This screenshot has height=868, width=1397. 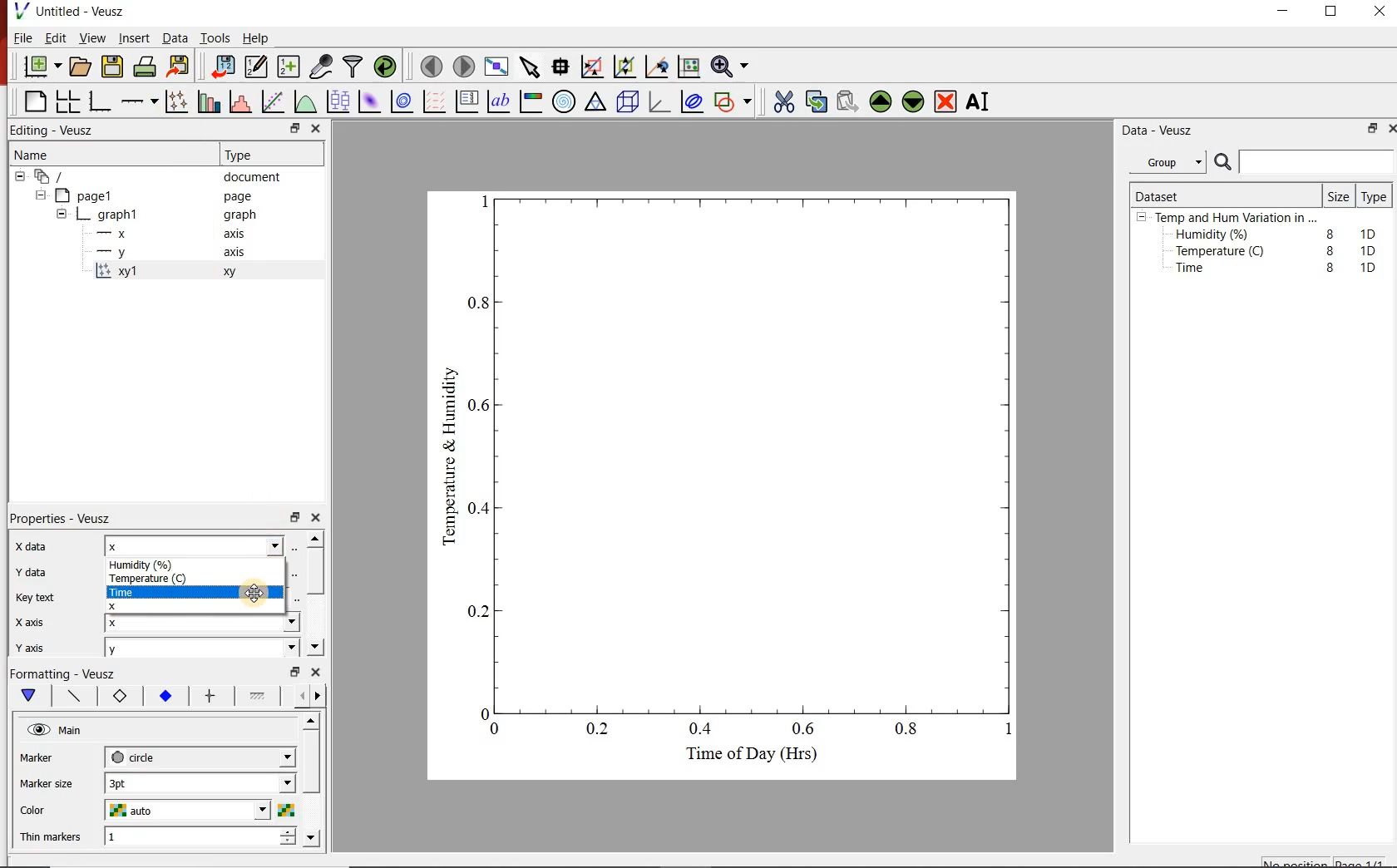 I want to click on 3d graph, so click(x=662, y=104).